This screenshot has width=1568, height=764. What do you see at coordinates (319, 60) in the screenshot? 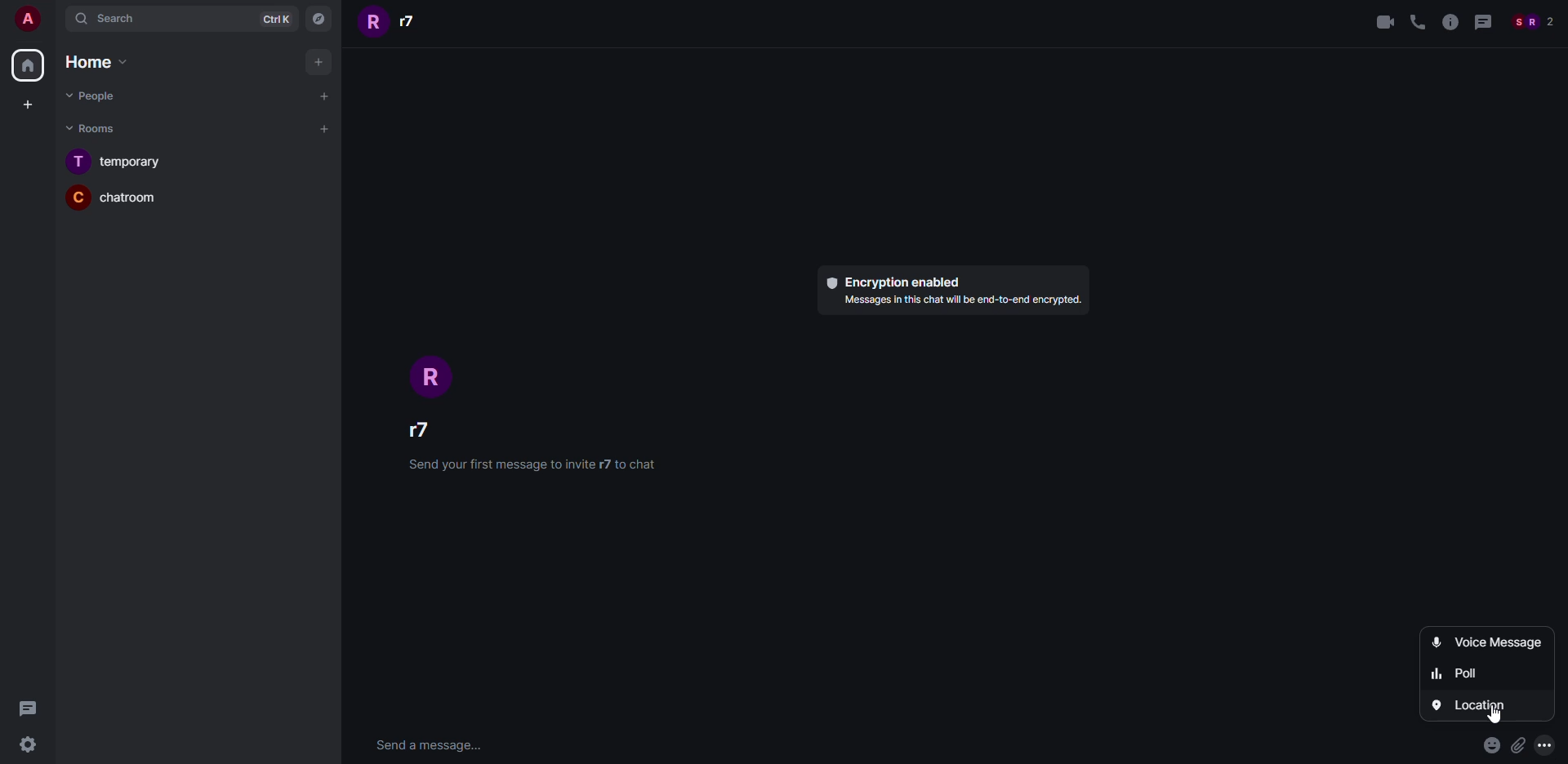
I see `Add` at bounding box center [319, 60].